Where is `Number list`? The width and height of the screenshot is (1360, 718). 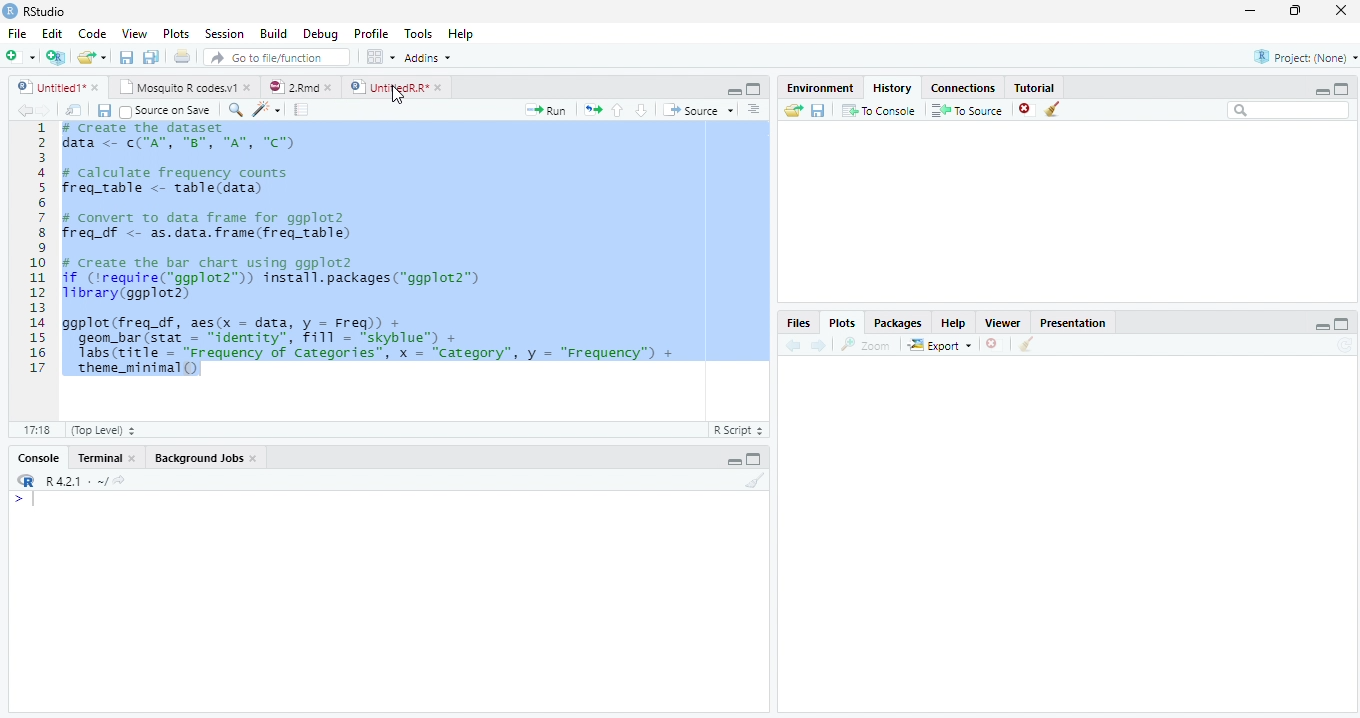
Number list is located at coordinates (34, 254).